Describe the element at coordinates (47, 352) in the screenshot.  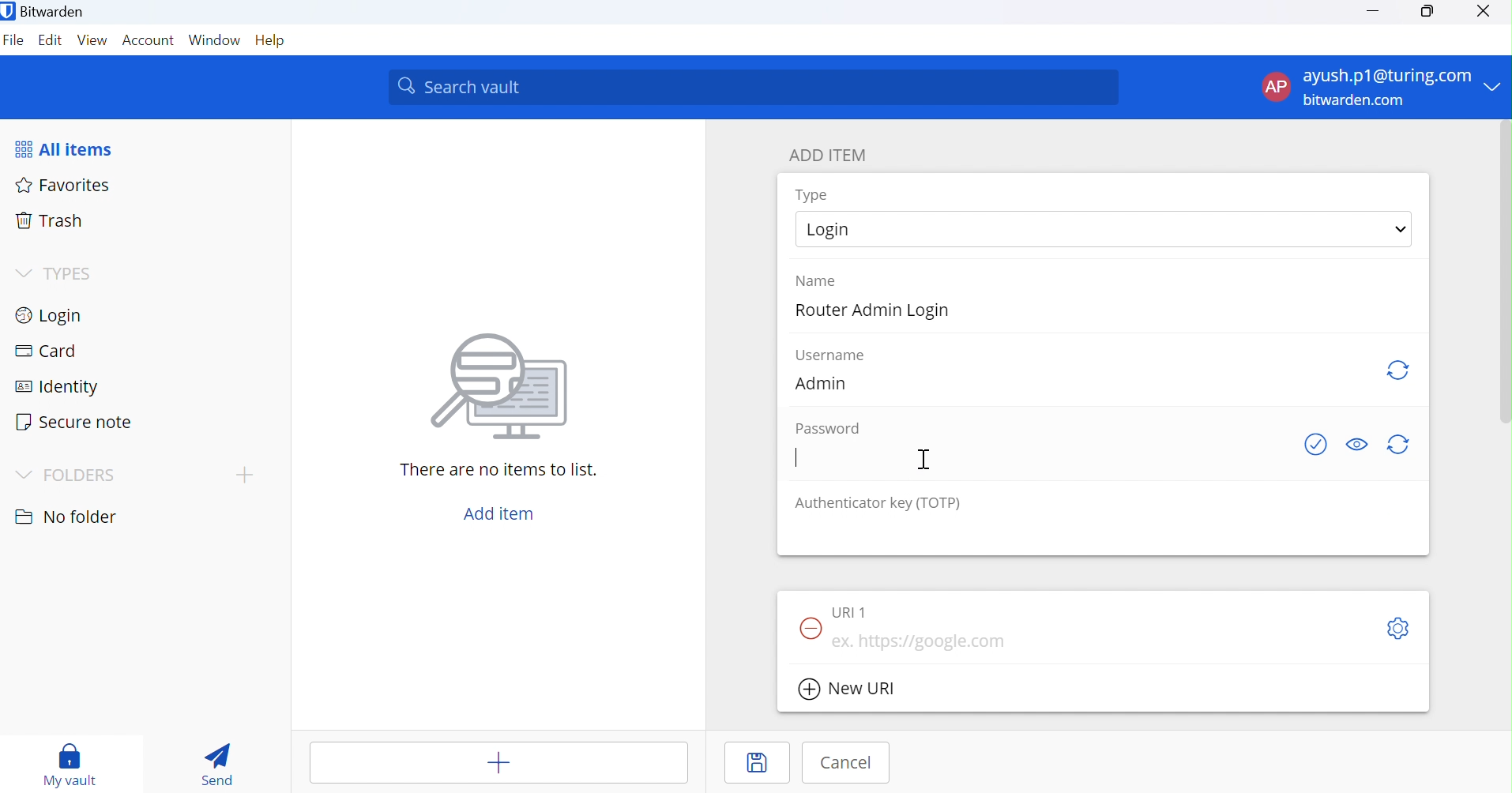
I see `Card` at that location.